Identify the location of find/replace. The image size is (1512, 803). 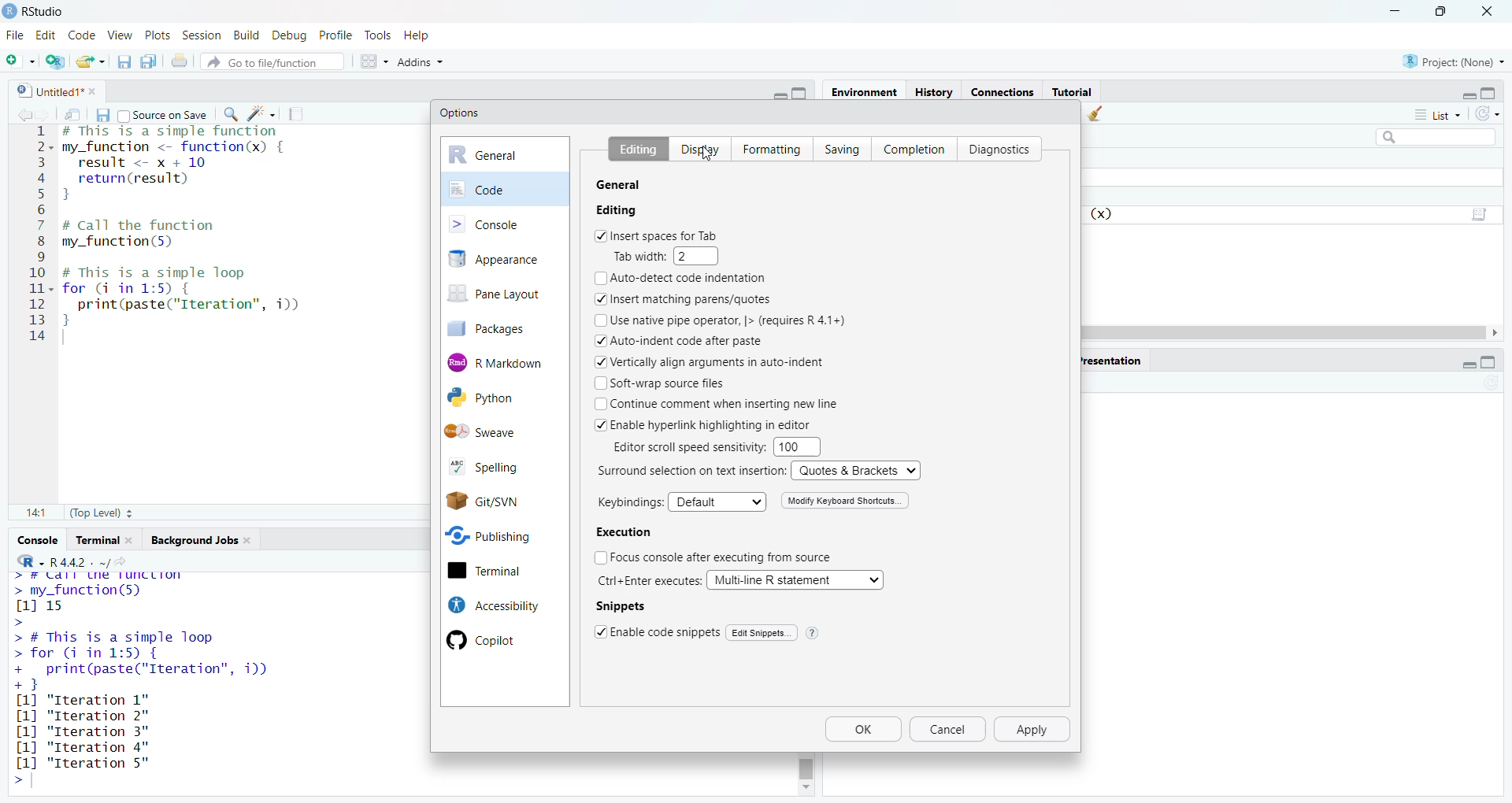
(228, 114).